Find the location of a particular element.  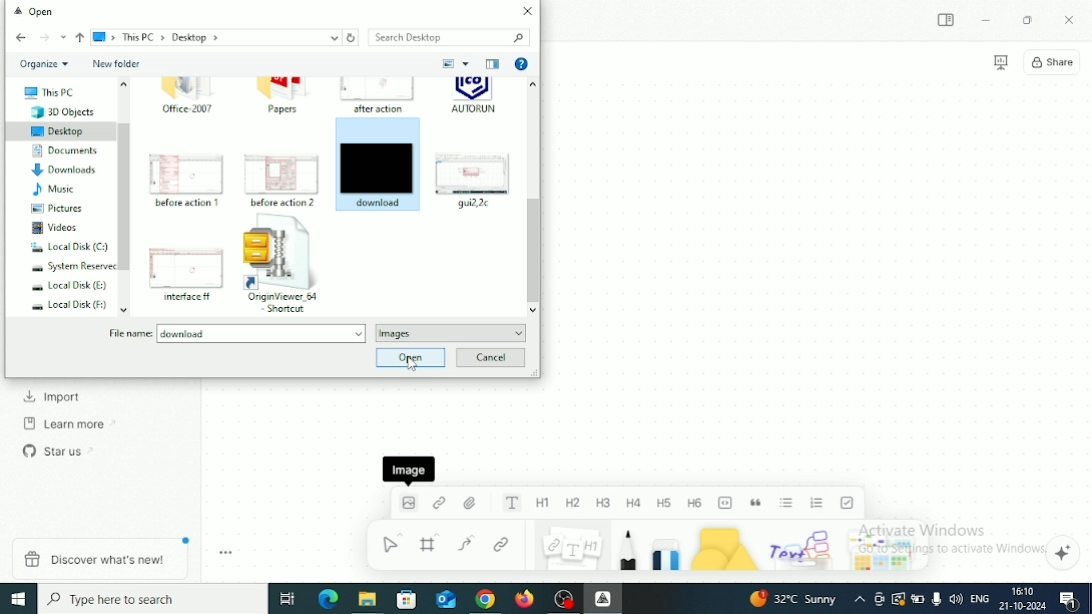

Vertical scrollbar is located at coordinates (126, 197).